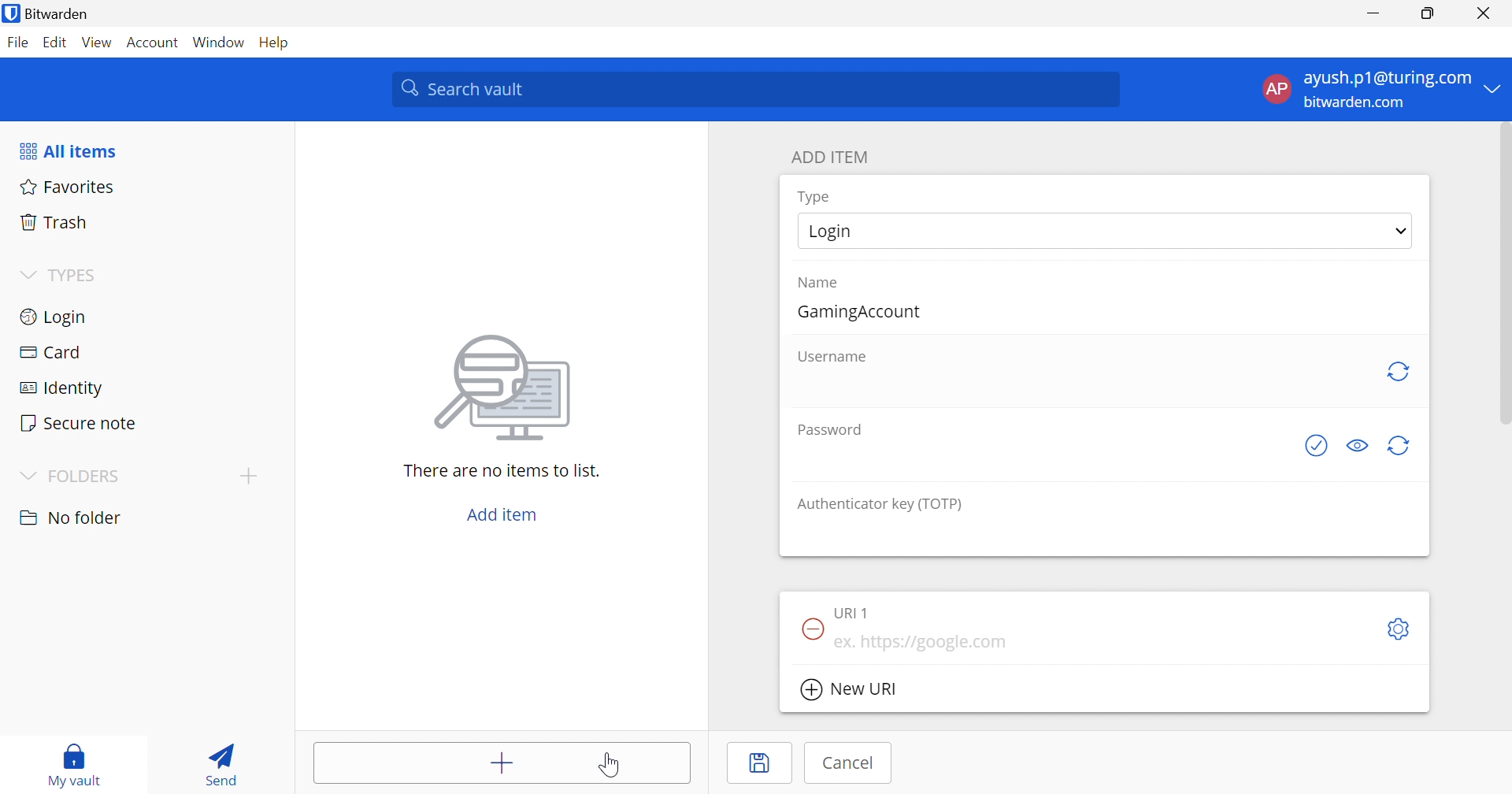  What do you see at coordinates (154, 41) in the screenshot?
I see `Account` at bounding box center [154, 41].